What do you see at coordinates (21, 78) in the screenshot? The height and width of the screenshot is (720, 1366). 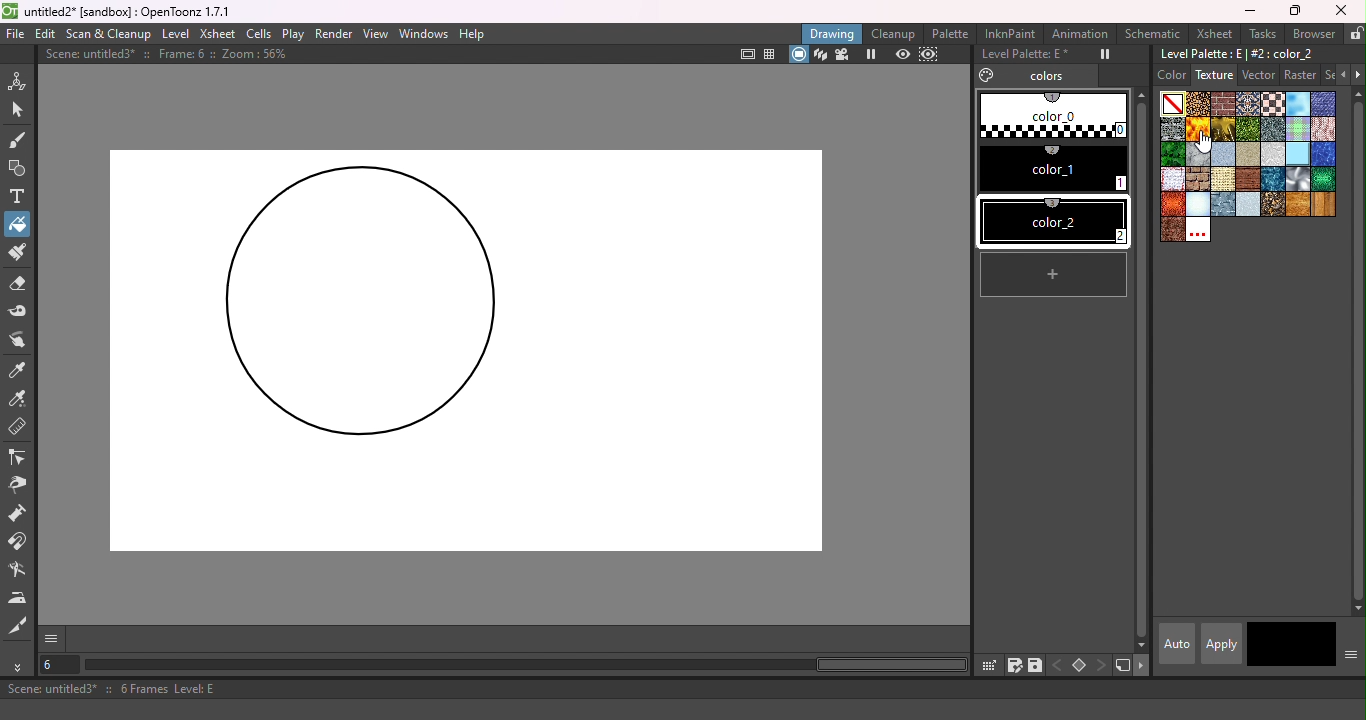 I see `Animate tool` at bounding box center [21, 78].